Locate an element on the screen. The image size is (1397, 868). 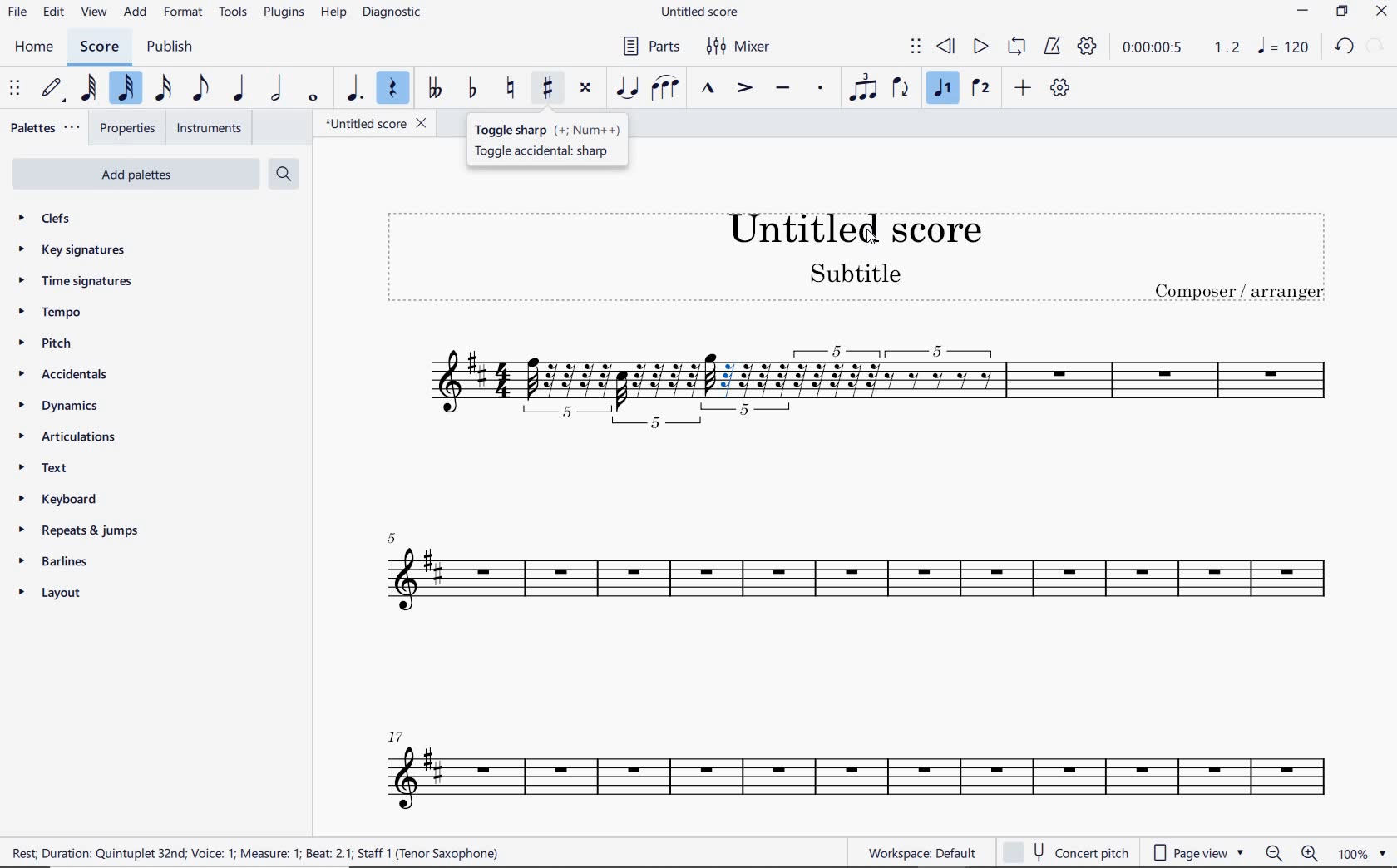
UNDO is located at coordinates (1345, 47).